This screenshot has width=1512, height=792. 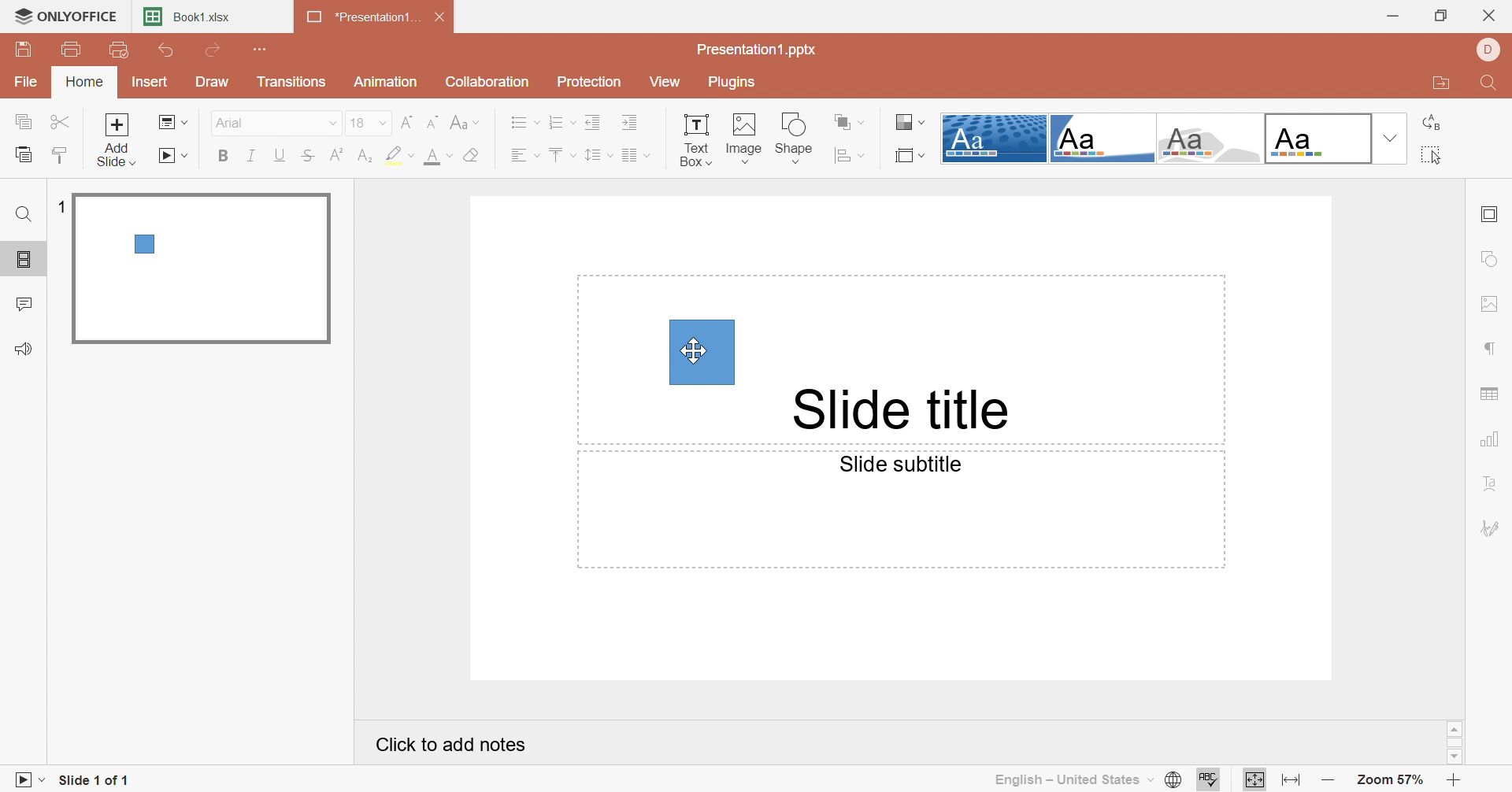 I want to click on Collaboration, so click(x=495, y=83).